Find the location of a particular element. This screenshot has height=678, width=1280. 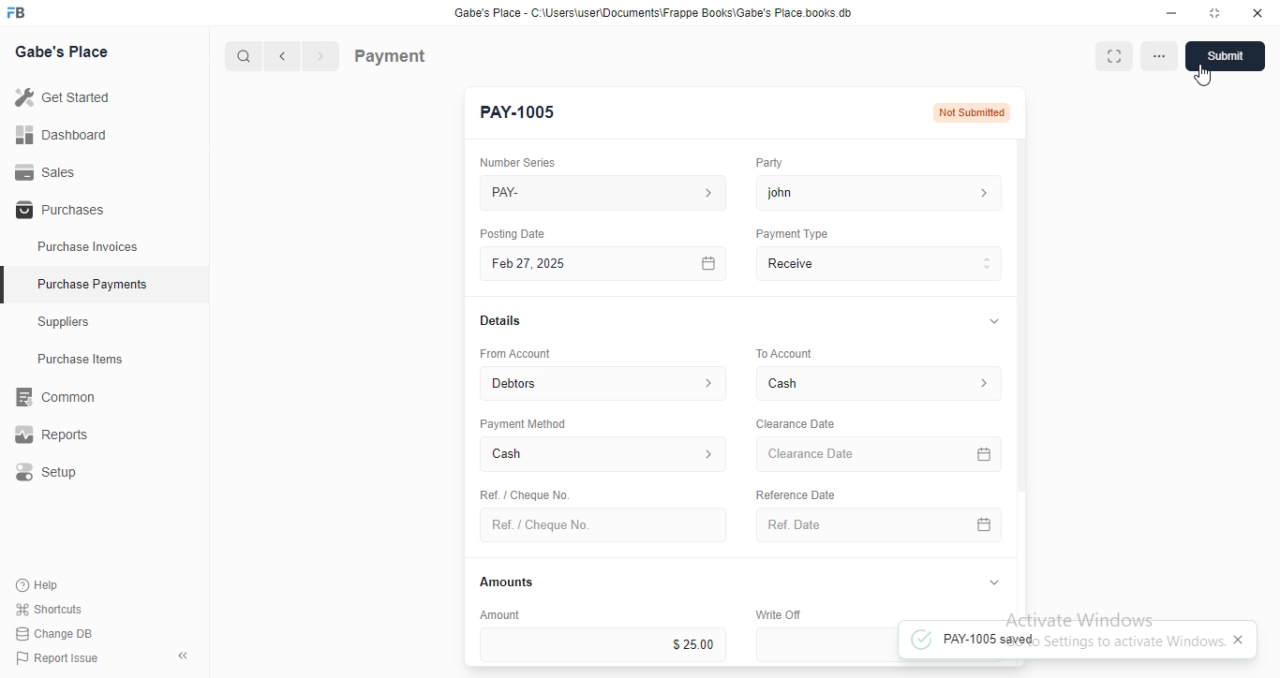

Not Submitted is located at coordinates (973, 111).